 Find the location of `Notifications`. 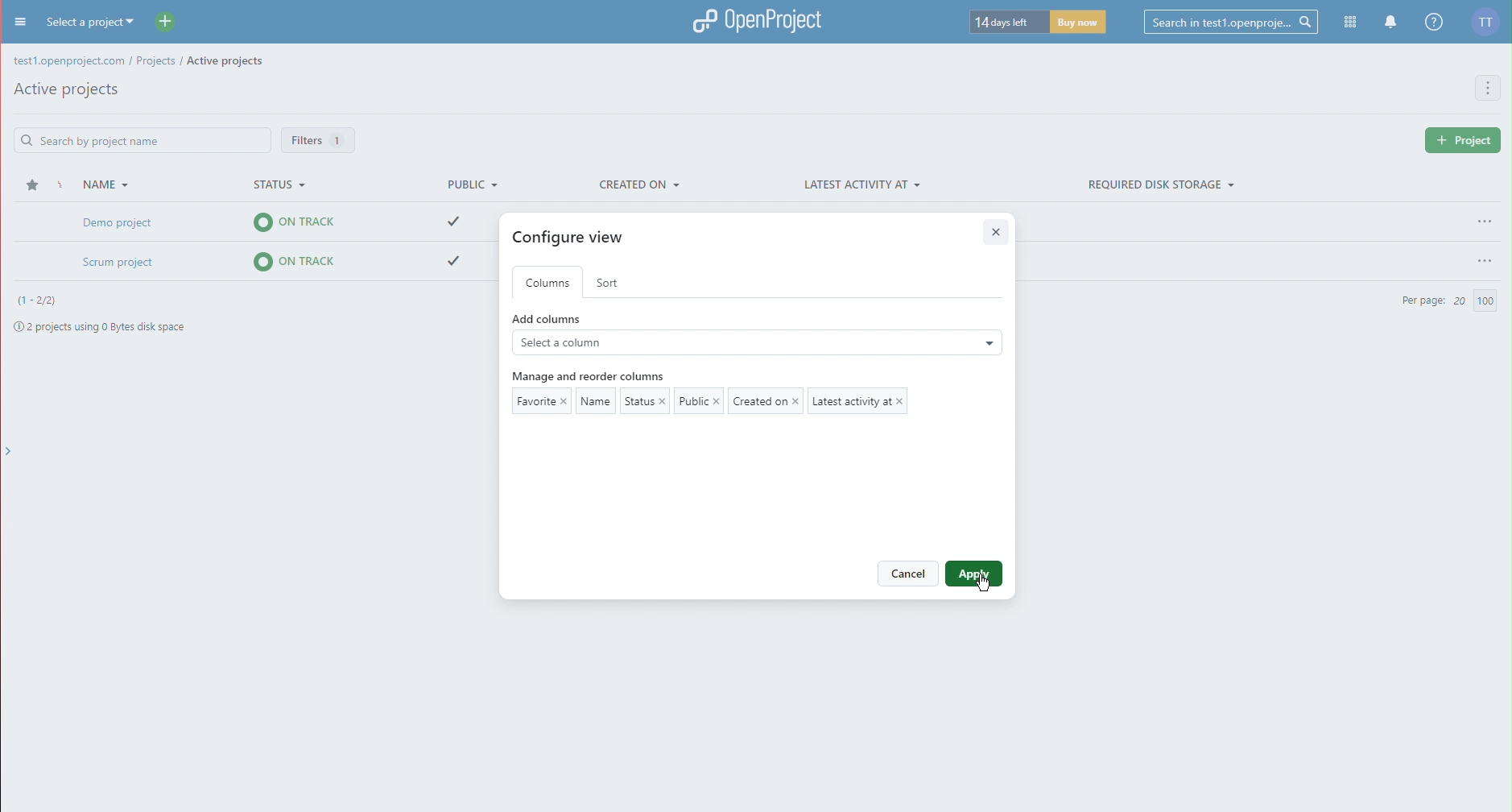

Notifications is located at coordinates (1389, 23).